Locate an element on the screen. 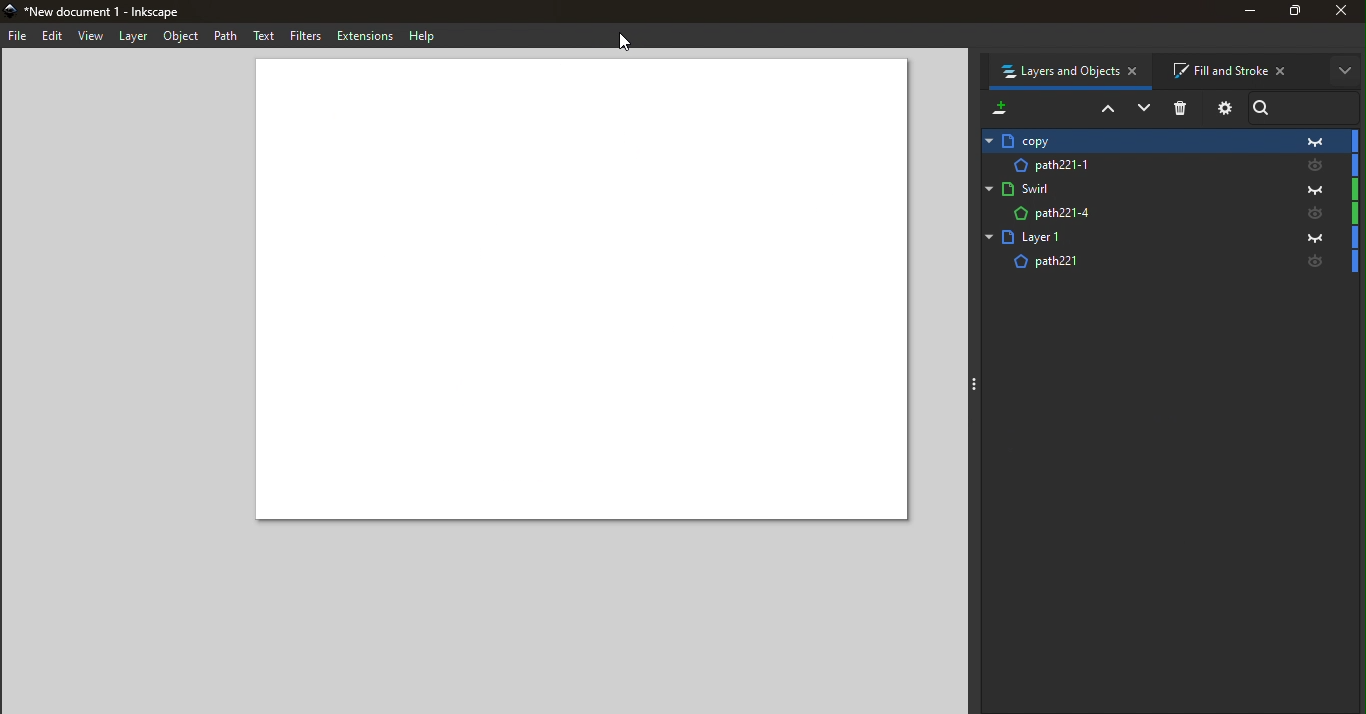 The image size is (1366, 714). hide/unhide layer is located at coordinates (1316, 190).